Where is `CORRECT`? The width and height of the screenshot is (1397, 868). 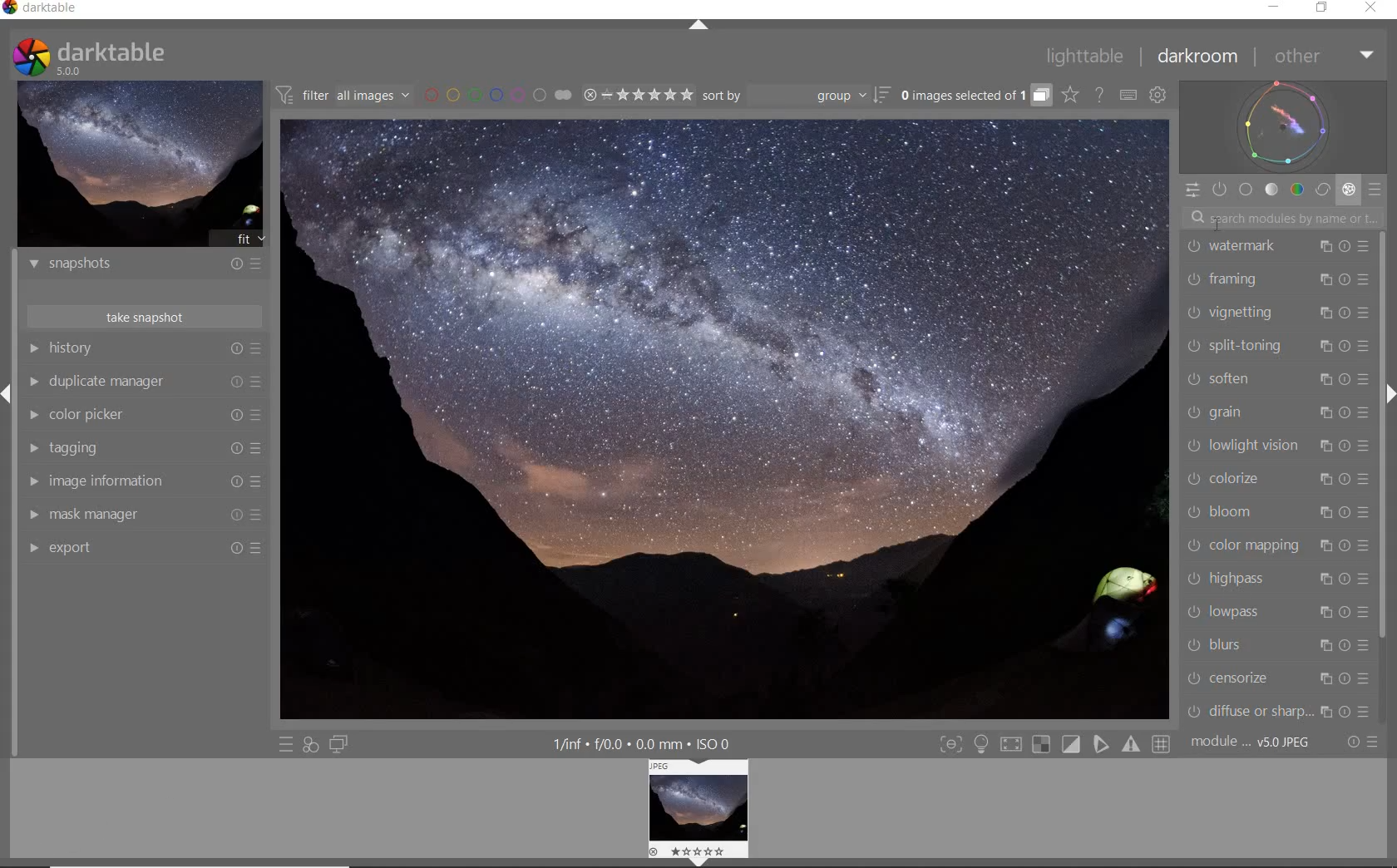 CORRECT is located at coordinates (1322, 190).